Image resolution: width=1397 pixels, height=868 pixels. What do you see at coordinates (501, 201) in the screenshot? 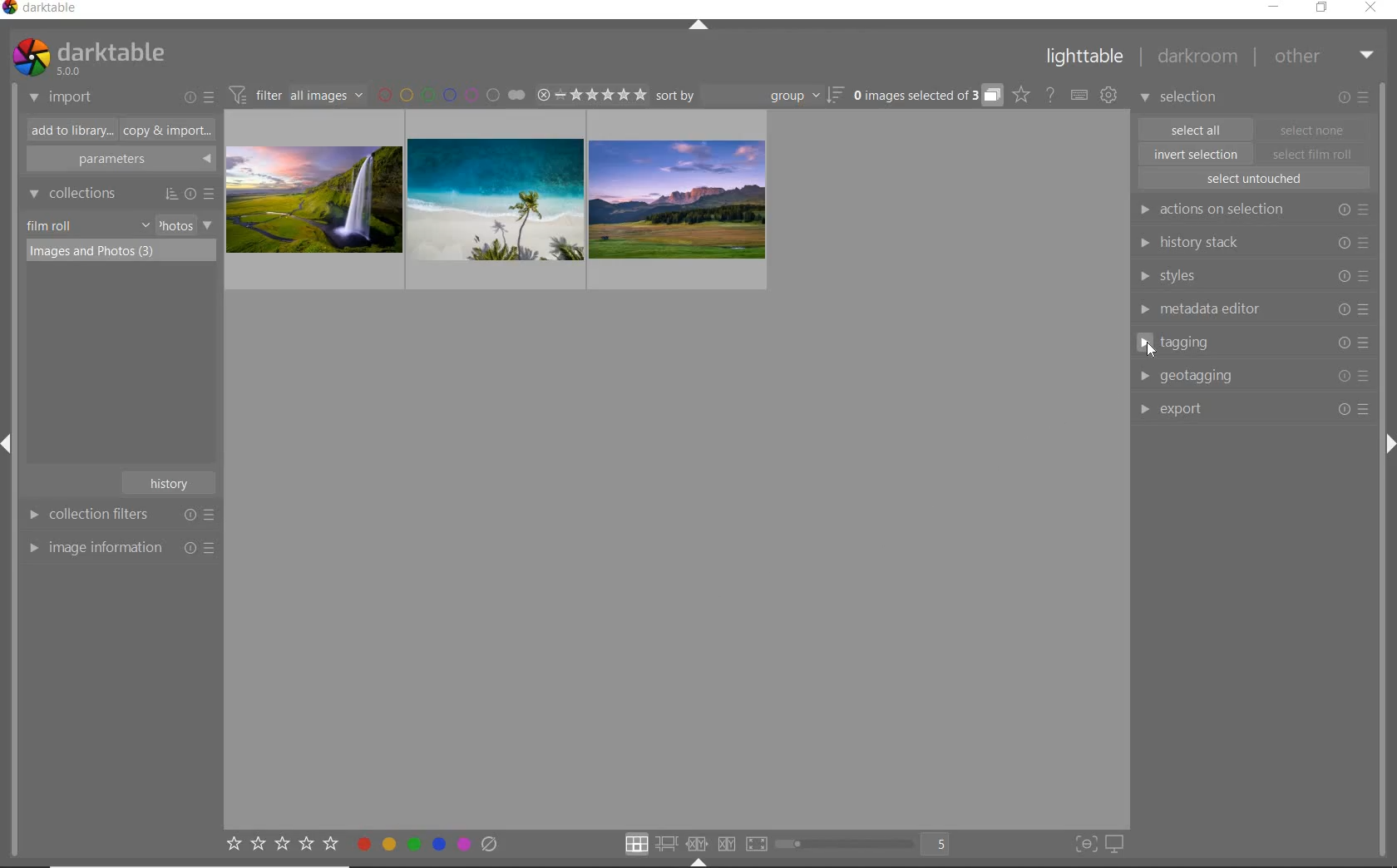
I see `images` at bounding box center [501, 201].